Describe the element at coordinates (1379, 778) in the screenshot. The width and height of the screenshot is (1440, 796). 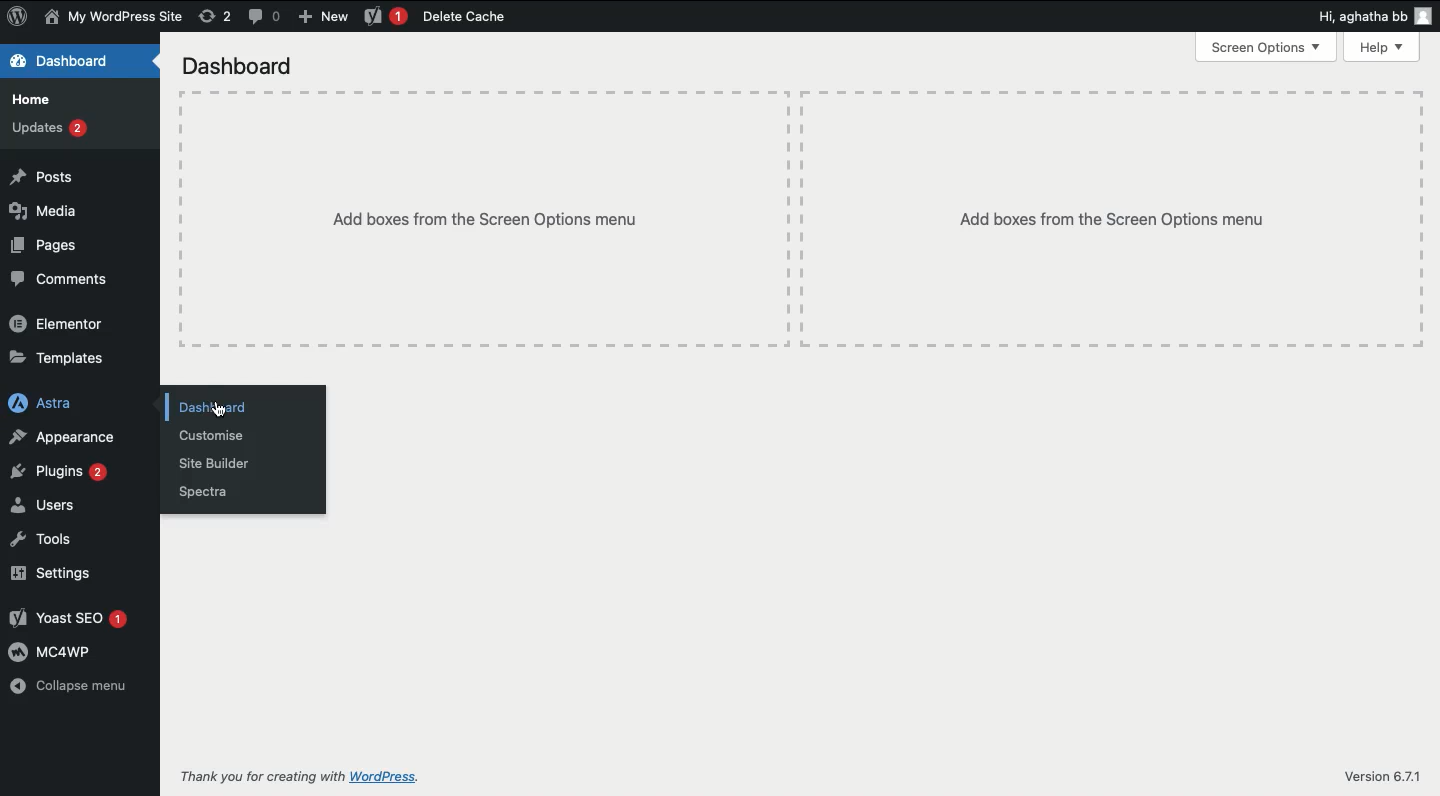
I see `Version 6.71` at that location.